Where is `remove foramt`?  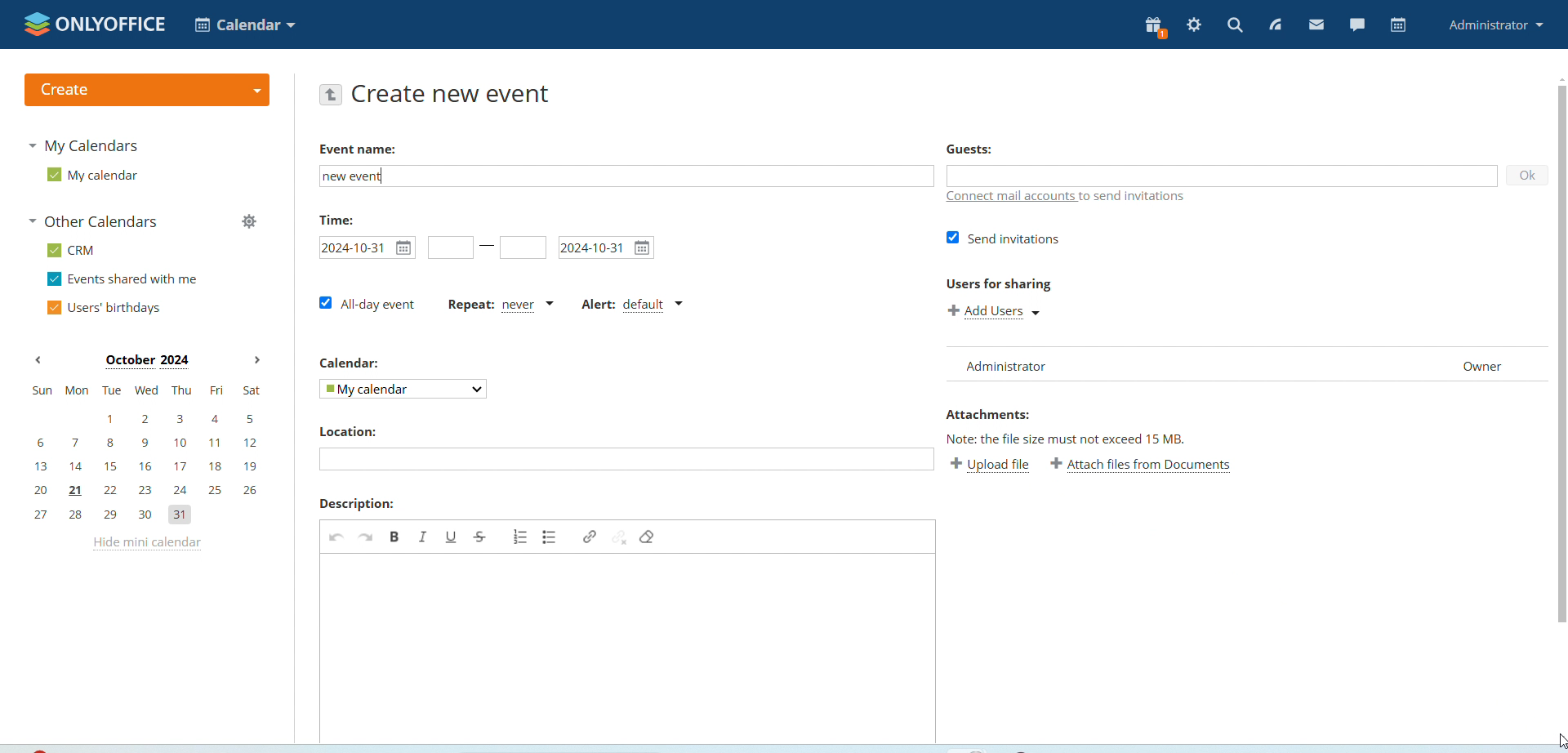 remove foramt is located at coordinates (650, 538).